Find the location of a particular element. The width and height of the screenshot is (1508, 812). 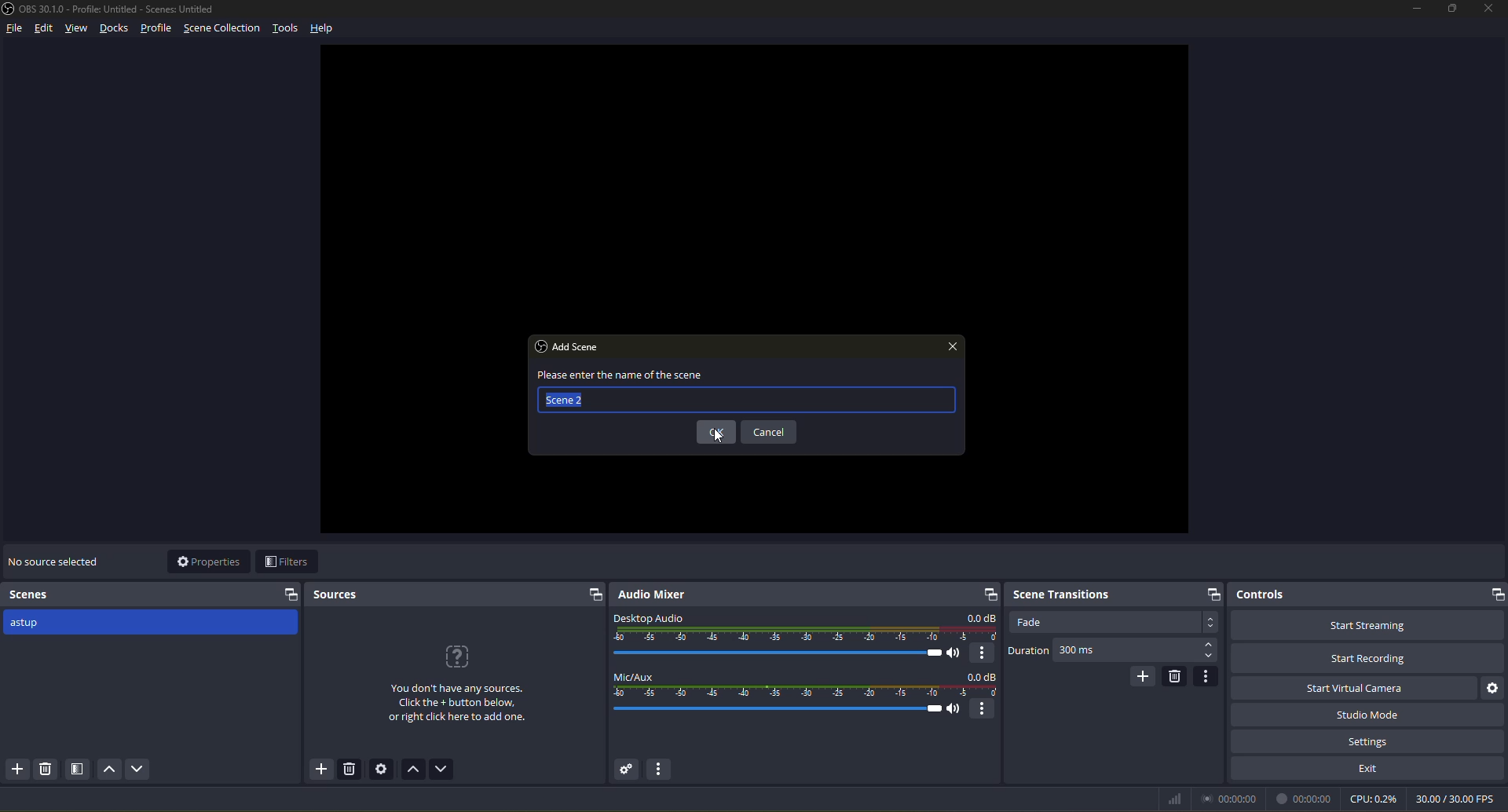

db is located at coordinates (979, 617).